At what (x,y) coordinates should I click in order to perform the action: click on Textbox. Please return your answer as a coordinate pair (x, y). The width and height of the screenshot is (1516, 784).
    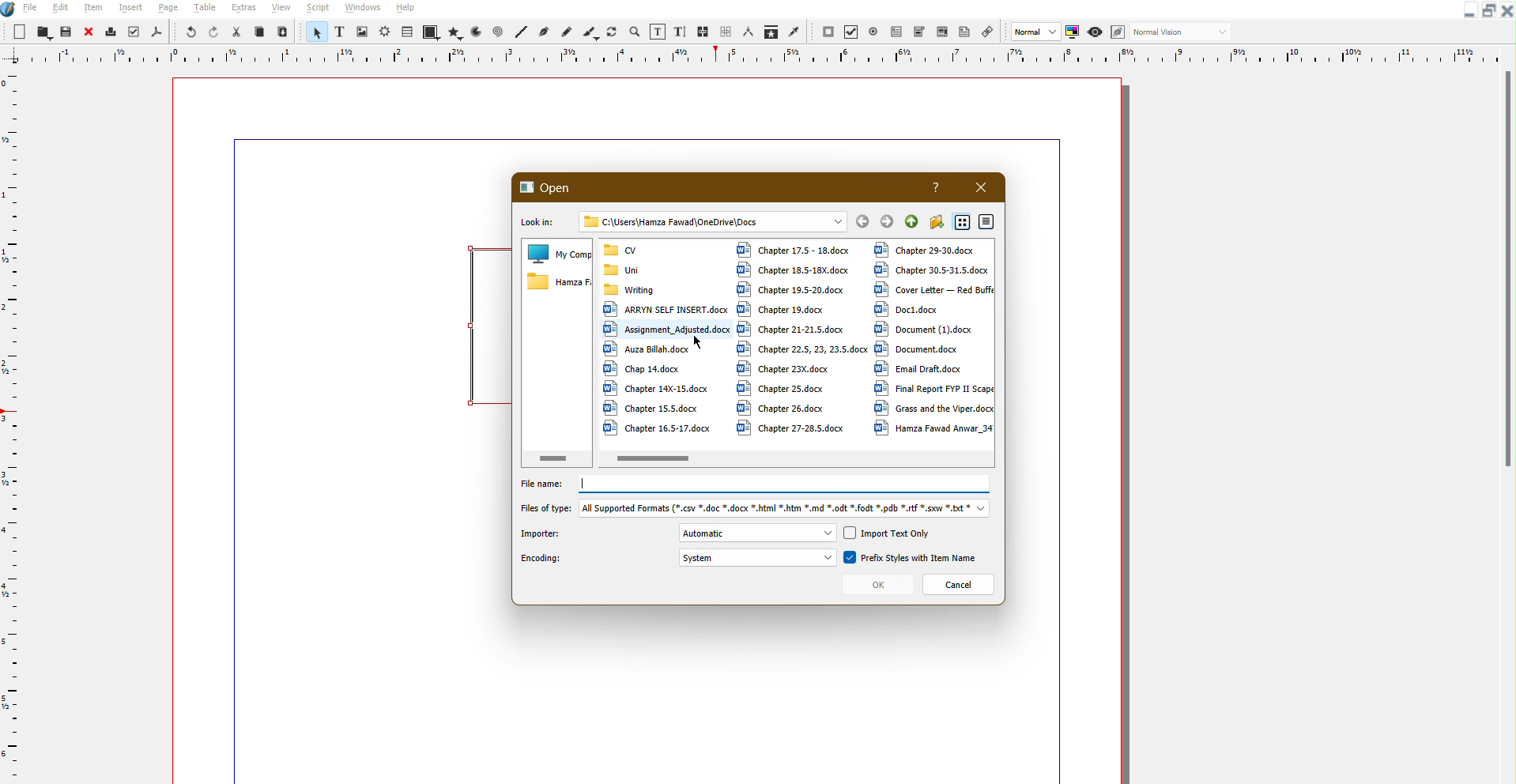
    Looking at the image, I should click on (656, 31).